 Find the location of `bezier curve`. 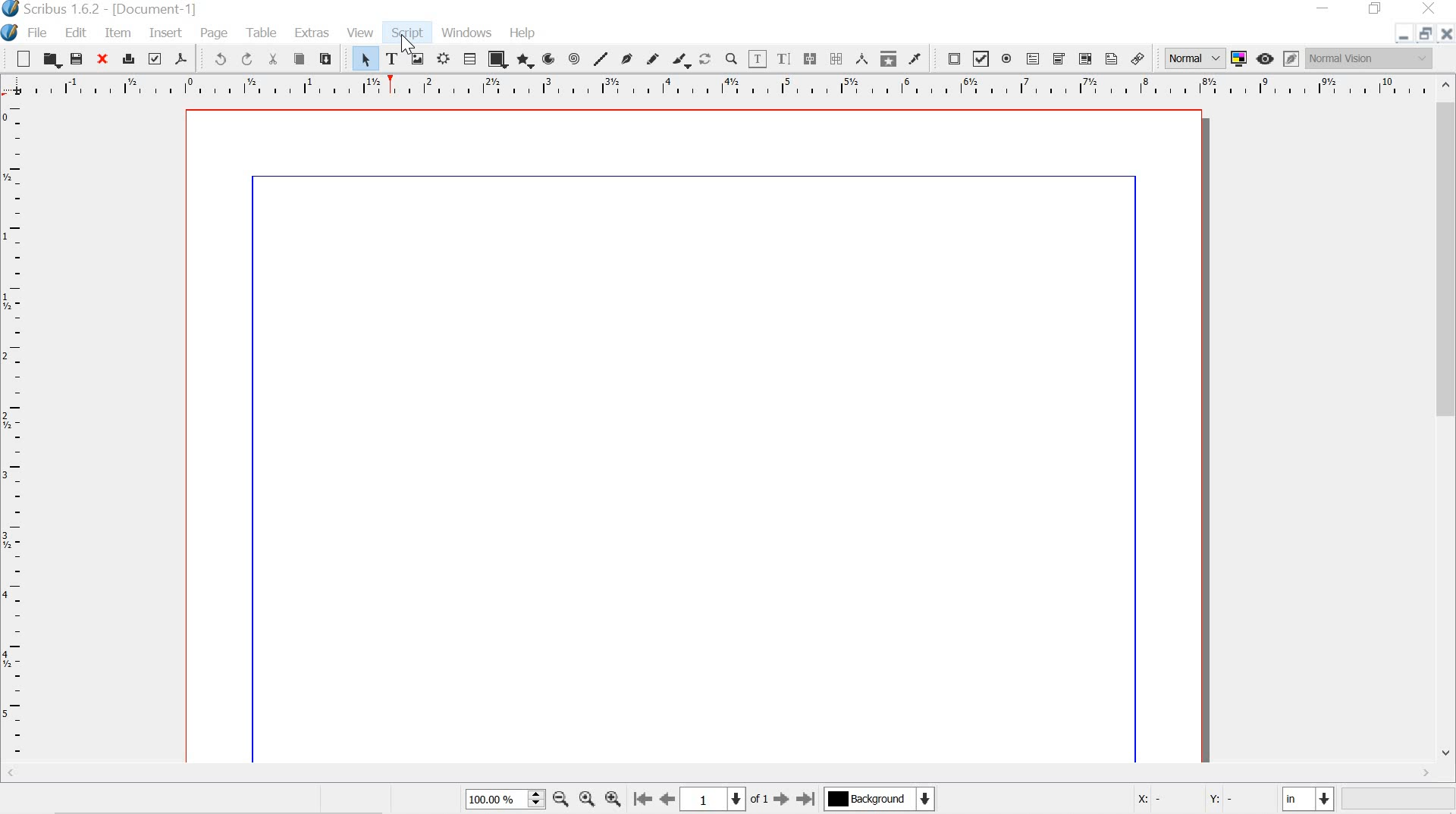

bezier curve is located at coordinates (628, 58).